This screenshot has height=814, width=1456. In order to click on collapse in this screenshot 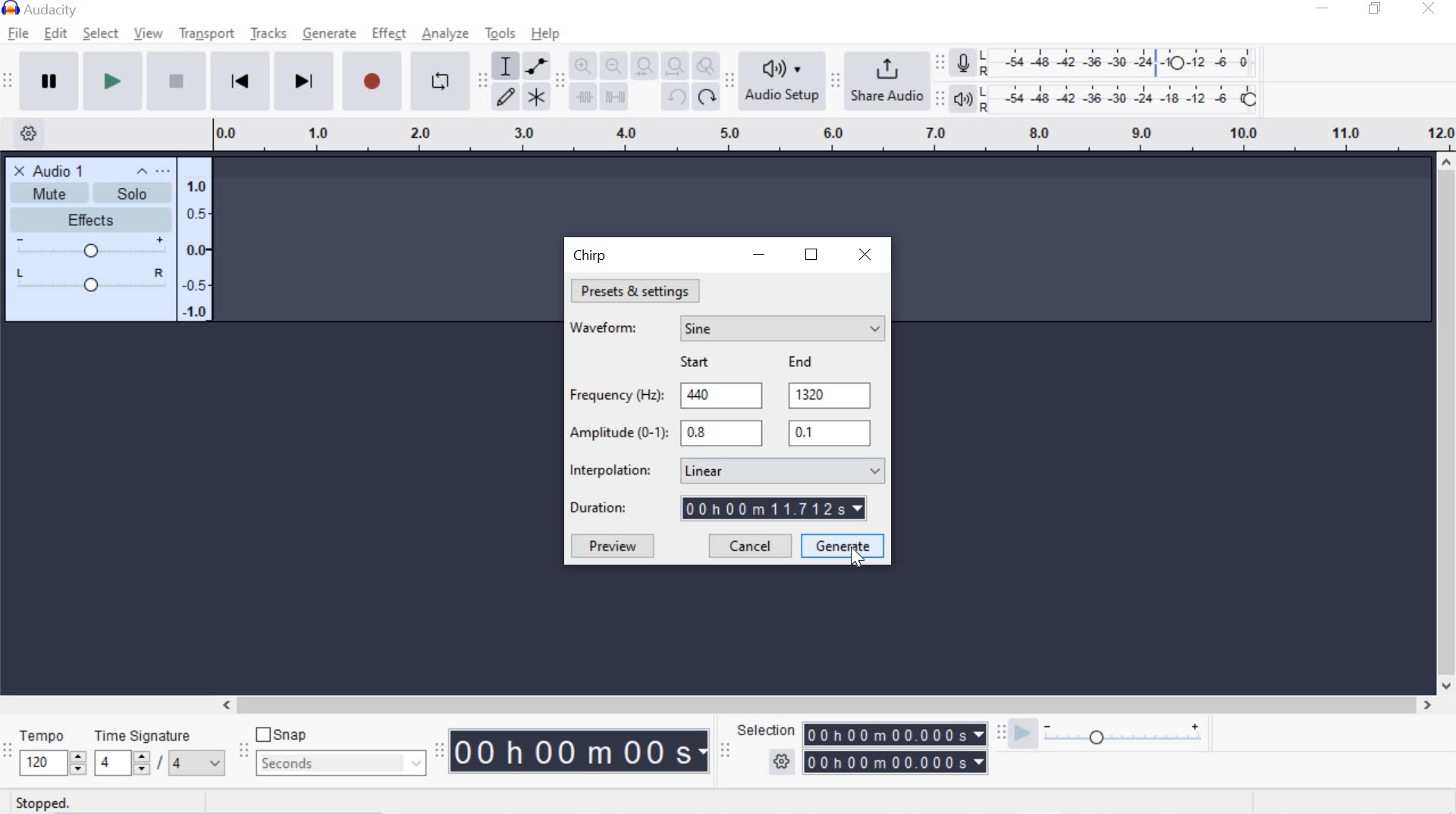, I will do `click(143, 173)`.